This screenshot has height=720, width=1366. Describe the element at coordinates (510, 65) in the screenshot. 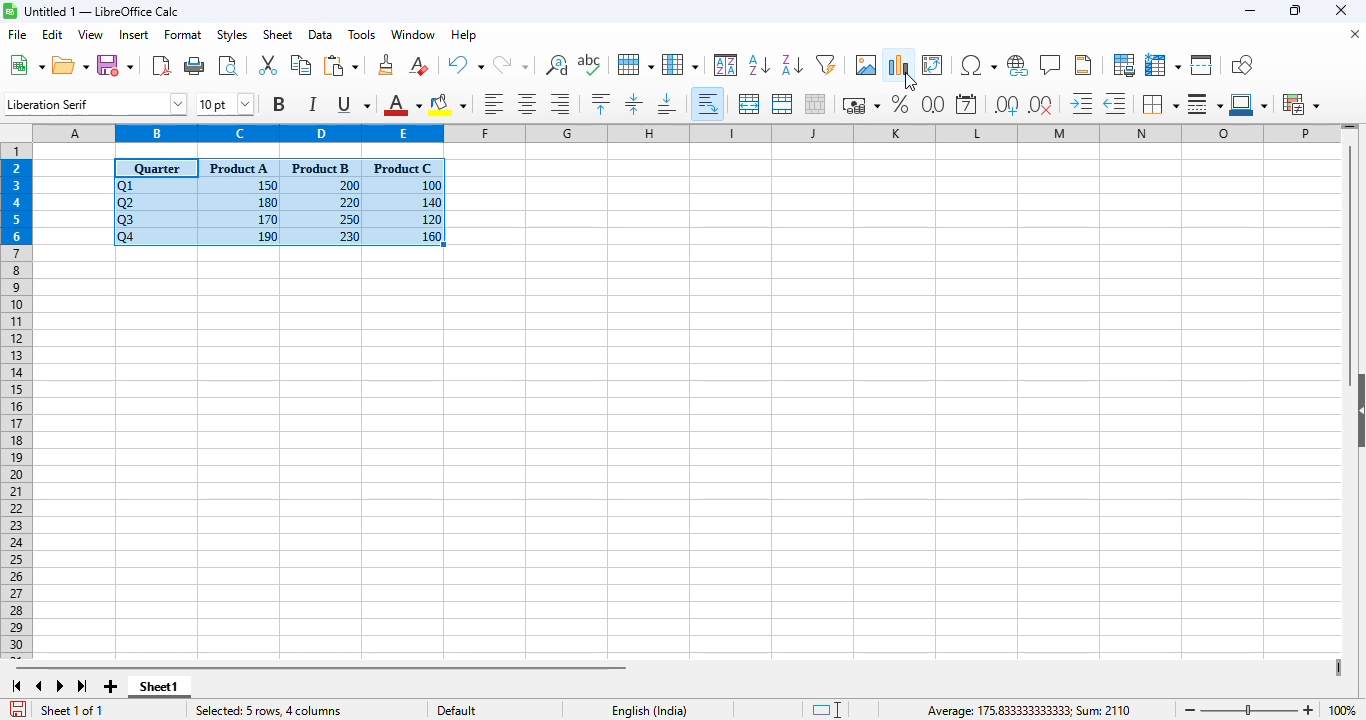

I see `redo` at that location.